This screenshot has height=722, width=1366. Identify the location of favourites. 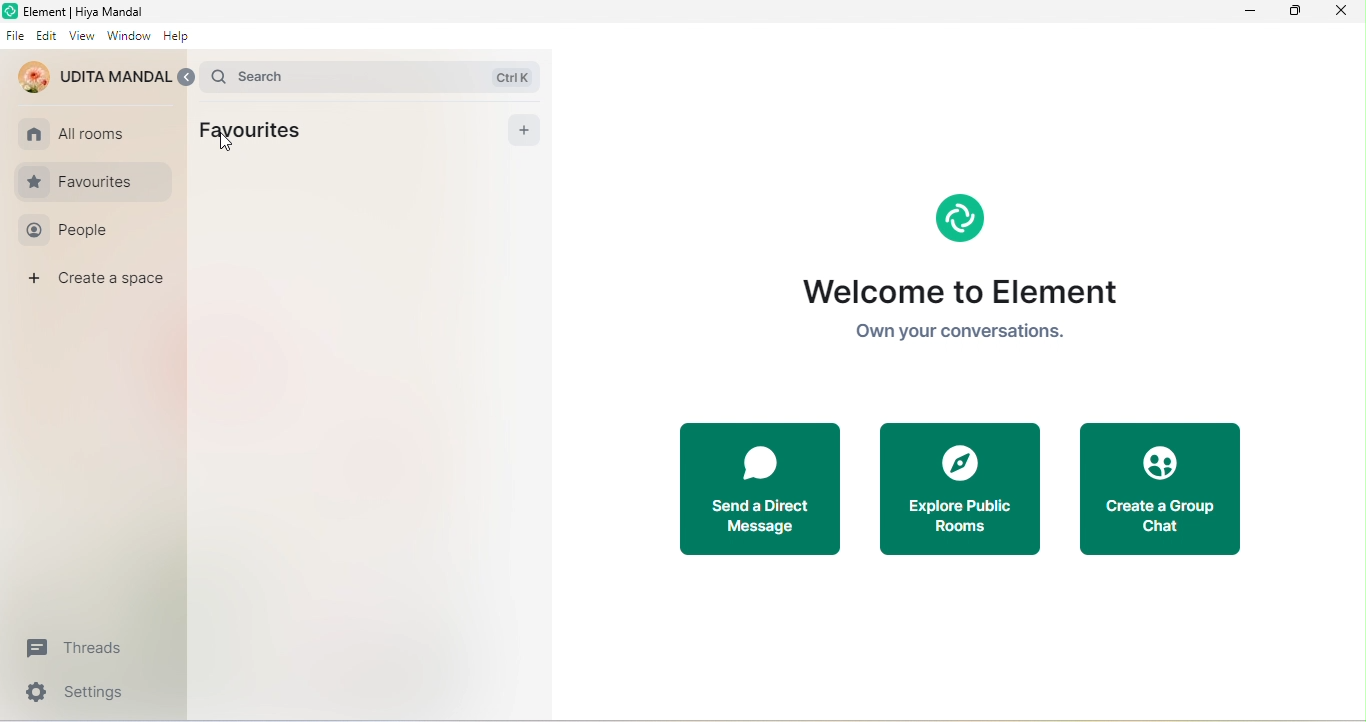
(260, 132).